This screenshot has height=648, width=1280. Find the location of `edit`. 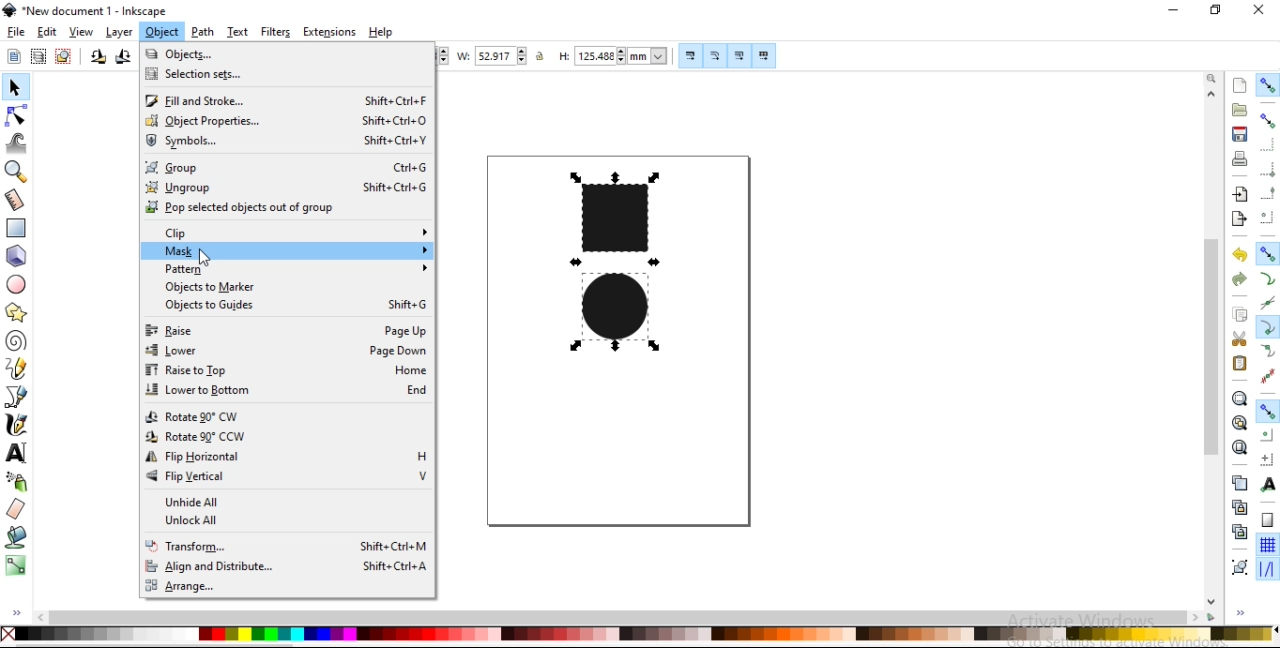

edit is located at coordinates (47, 32).